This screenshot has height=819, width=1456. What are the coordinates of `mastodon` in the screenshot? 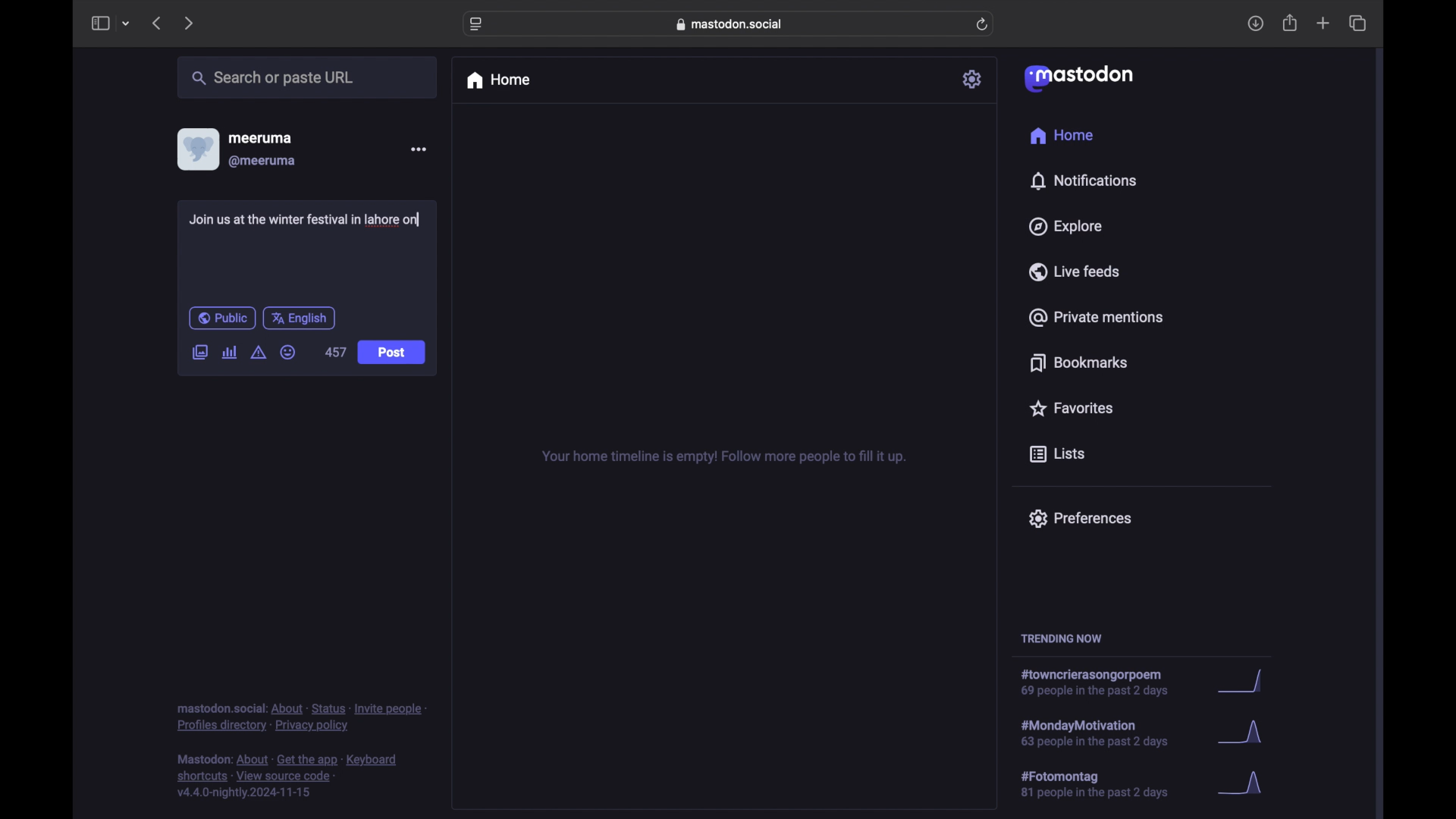 It's located at (1077, 77).